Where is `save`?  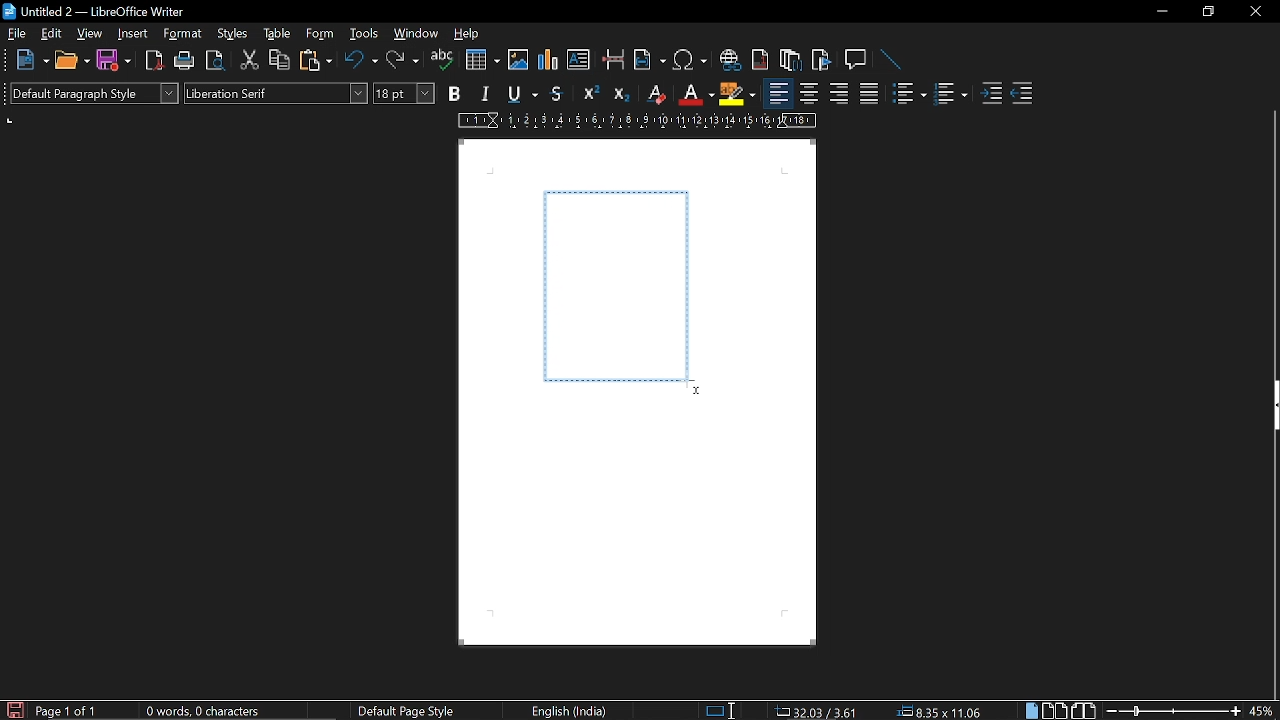 save is located at coordinates (112, 60).